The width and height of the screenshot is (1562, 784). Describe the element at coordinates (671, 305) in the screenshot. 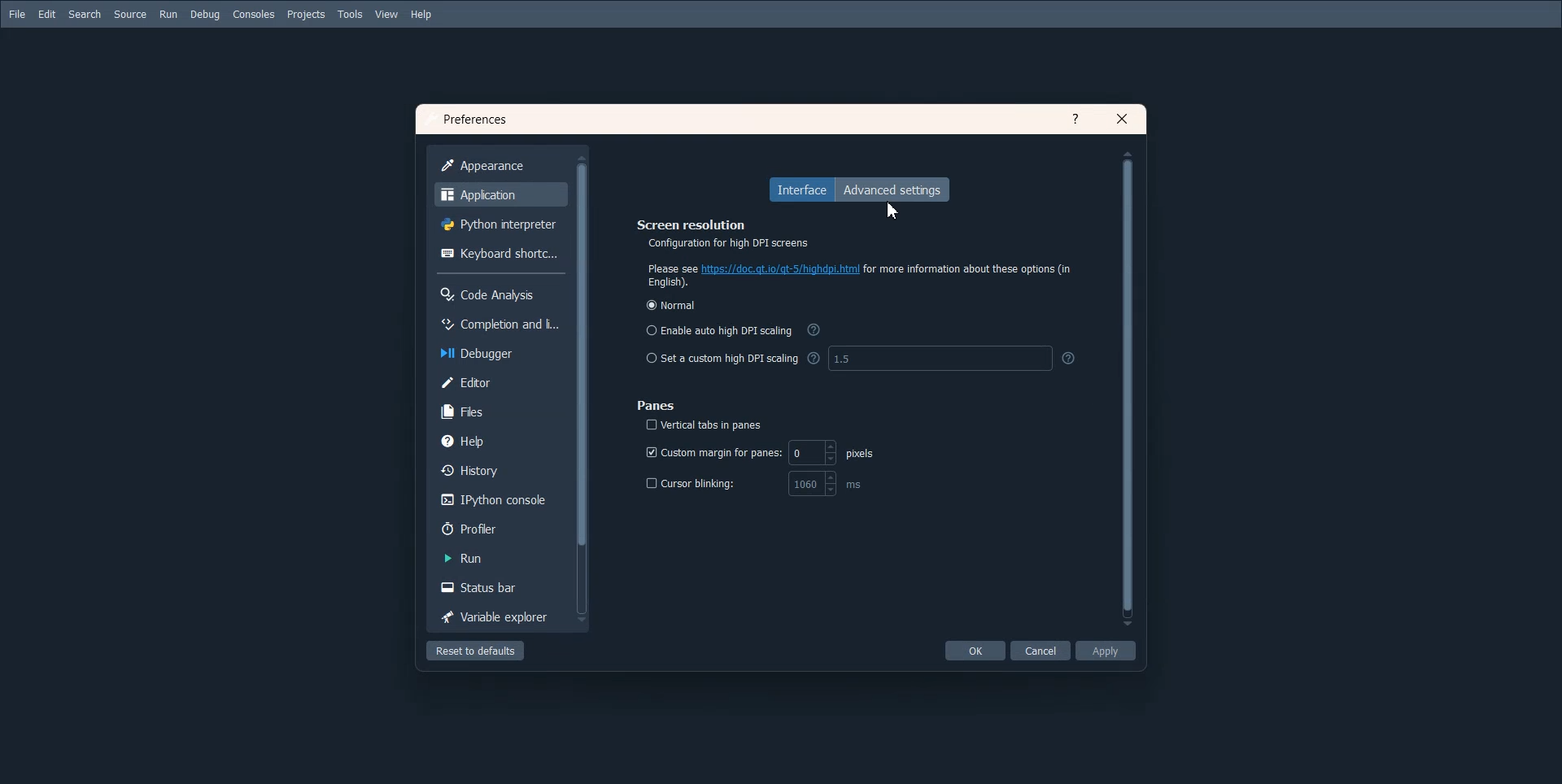

I see `Normal` at that location.